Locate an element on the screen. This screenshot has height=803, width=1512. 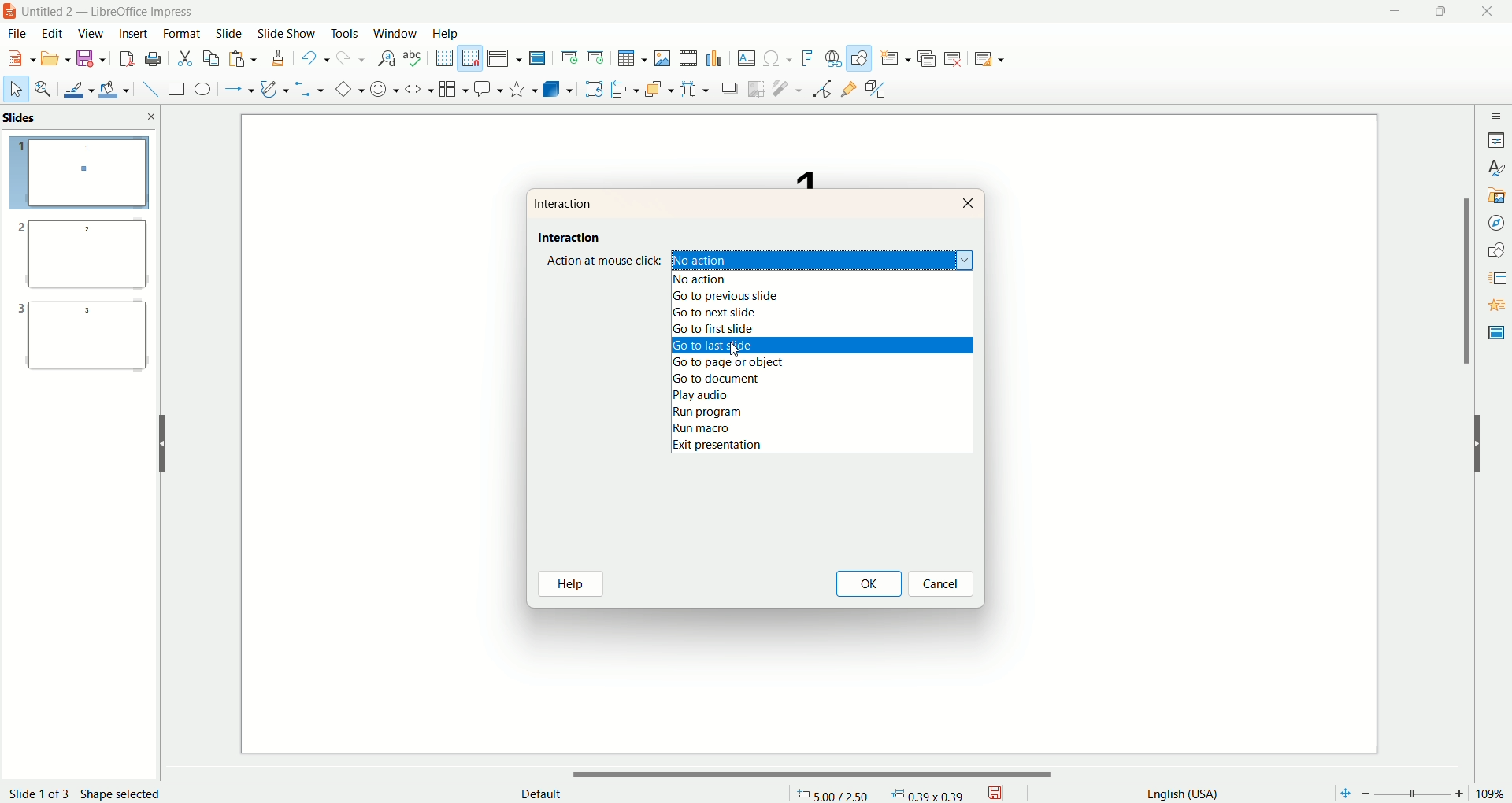
go to first slide is located at coordinates (776, 327).